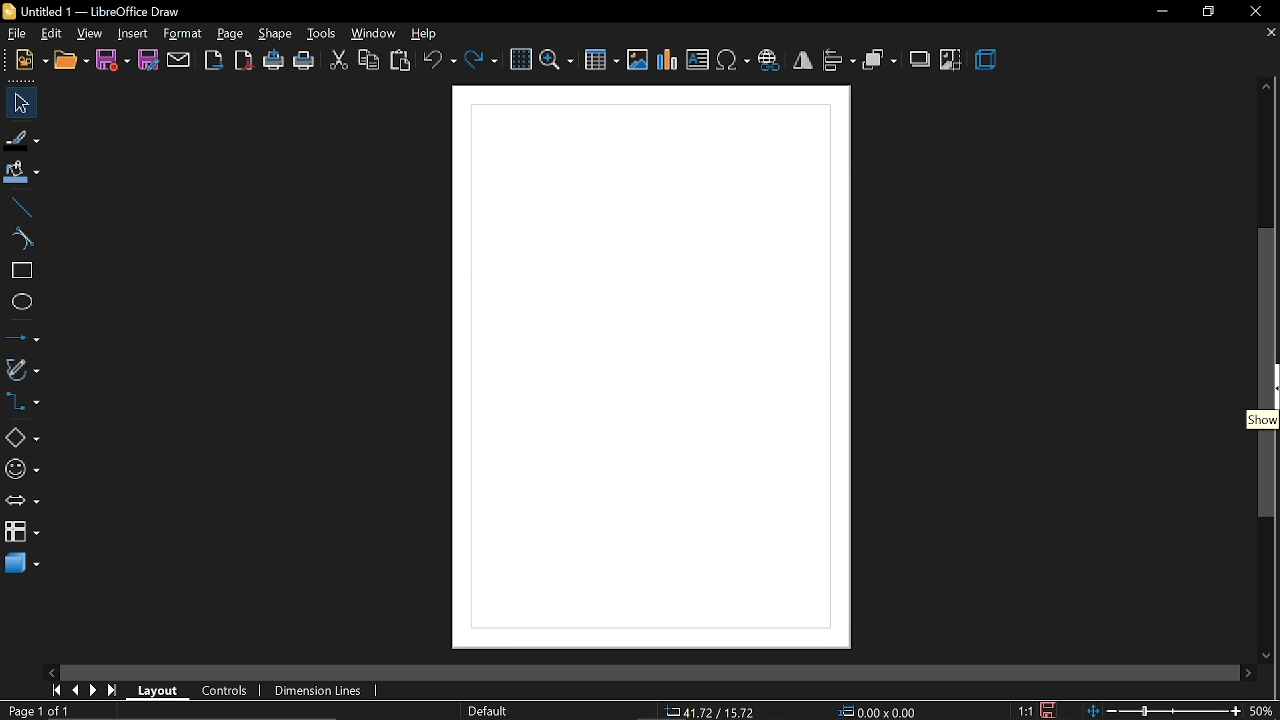 The width and height of the screenshot is (1280, 720). I want to click on line, so click(21, 206).